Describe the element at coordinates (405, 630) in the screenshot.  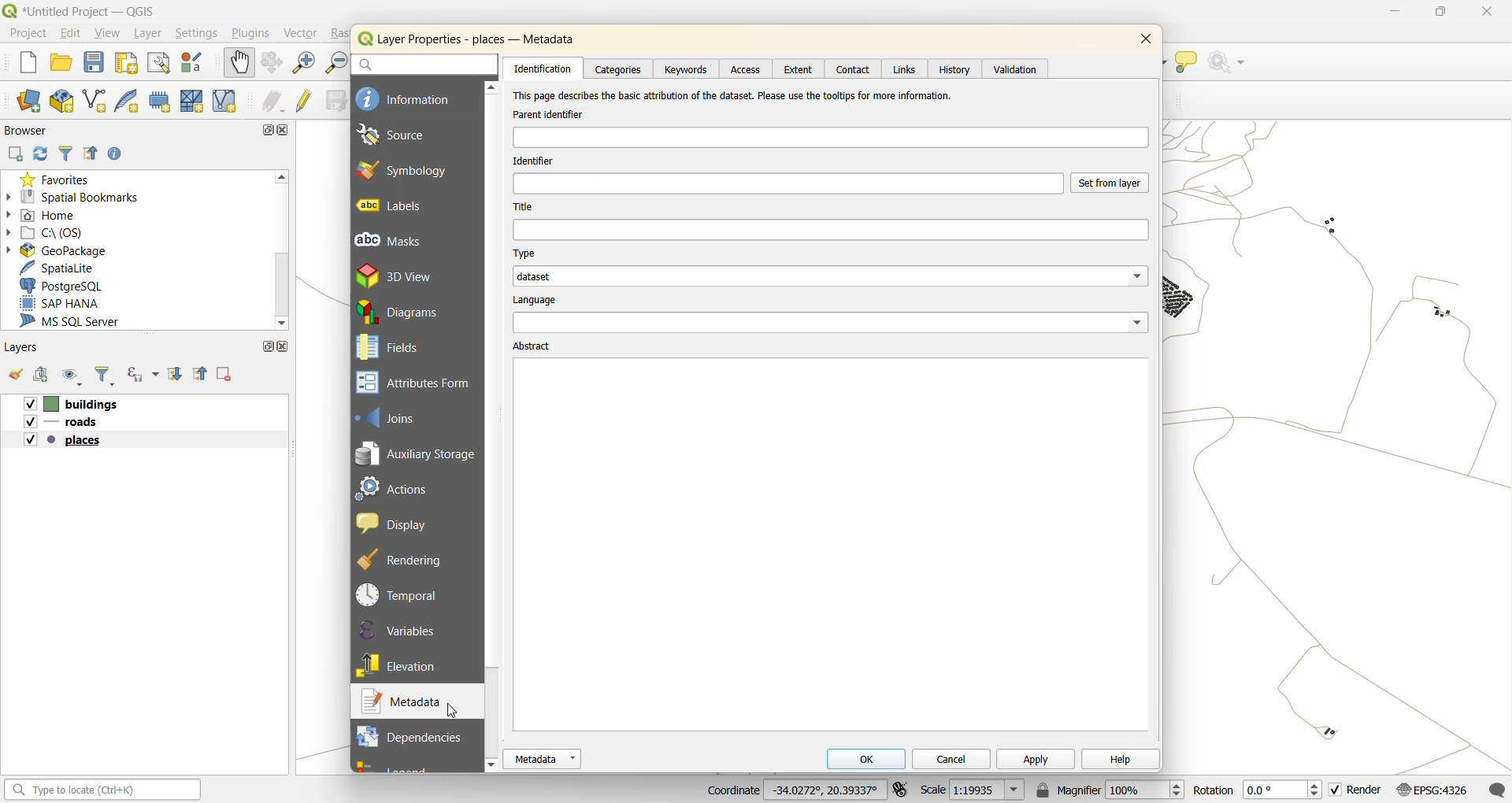
I see `variables` at that location.